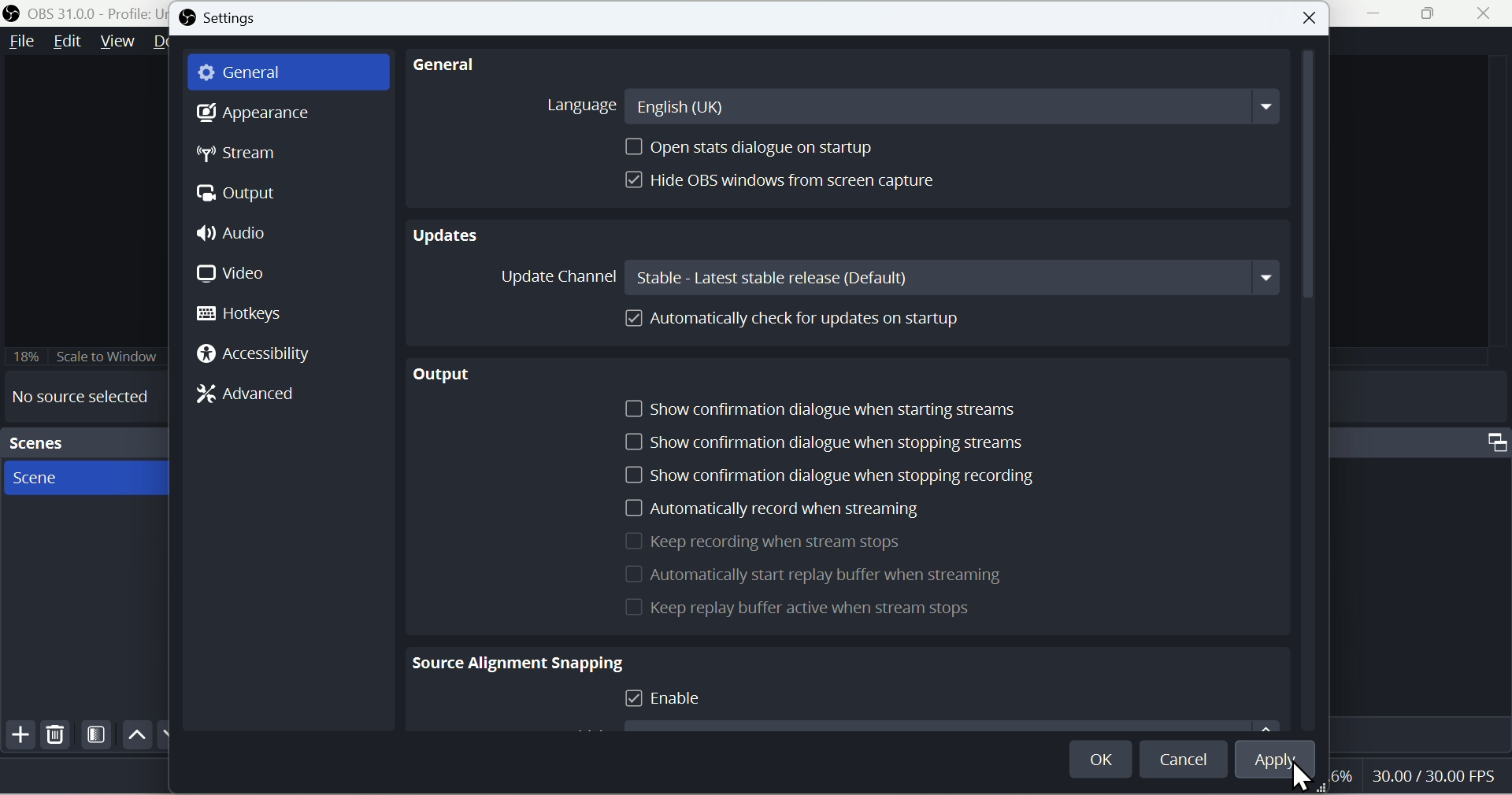  Describe the element at coordinates (790, 324) in the screenshot. I see `Automatically cheque up for updates on startup` at that location.